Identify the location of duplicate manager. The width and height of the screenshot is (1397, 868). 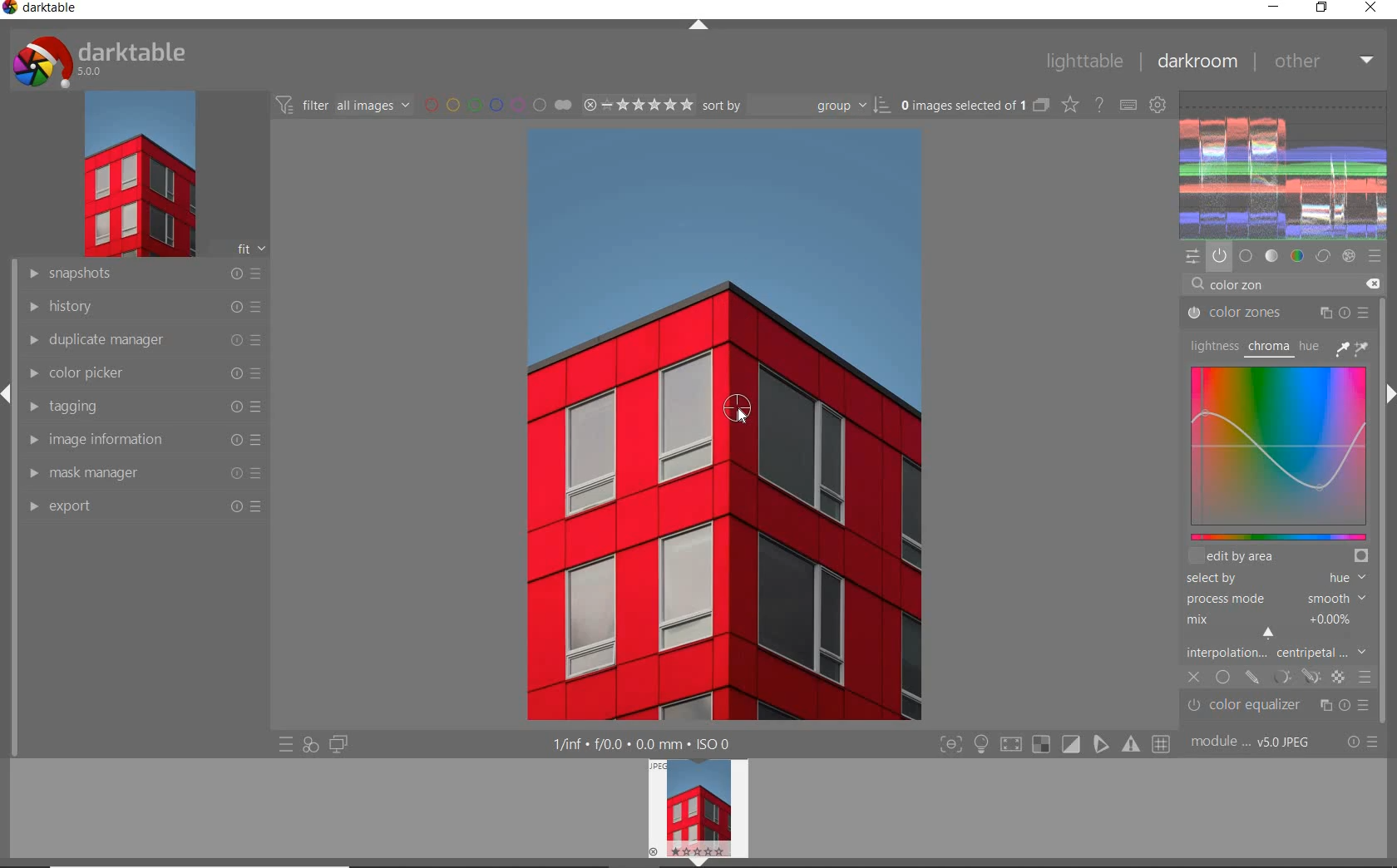
(140, 342).